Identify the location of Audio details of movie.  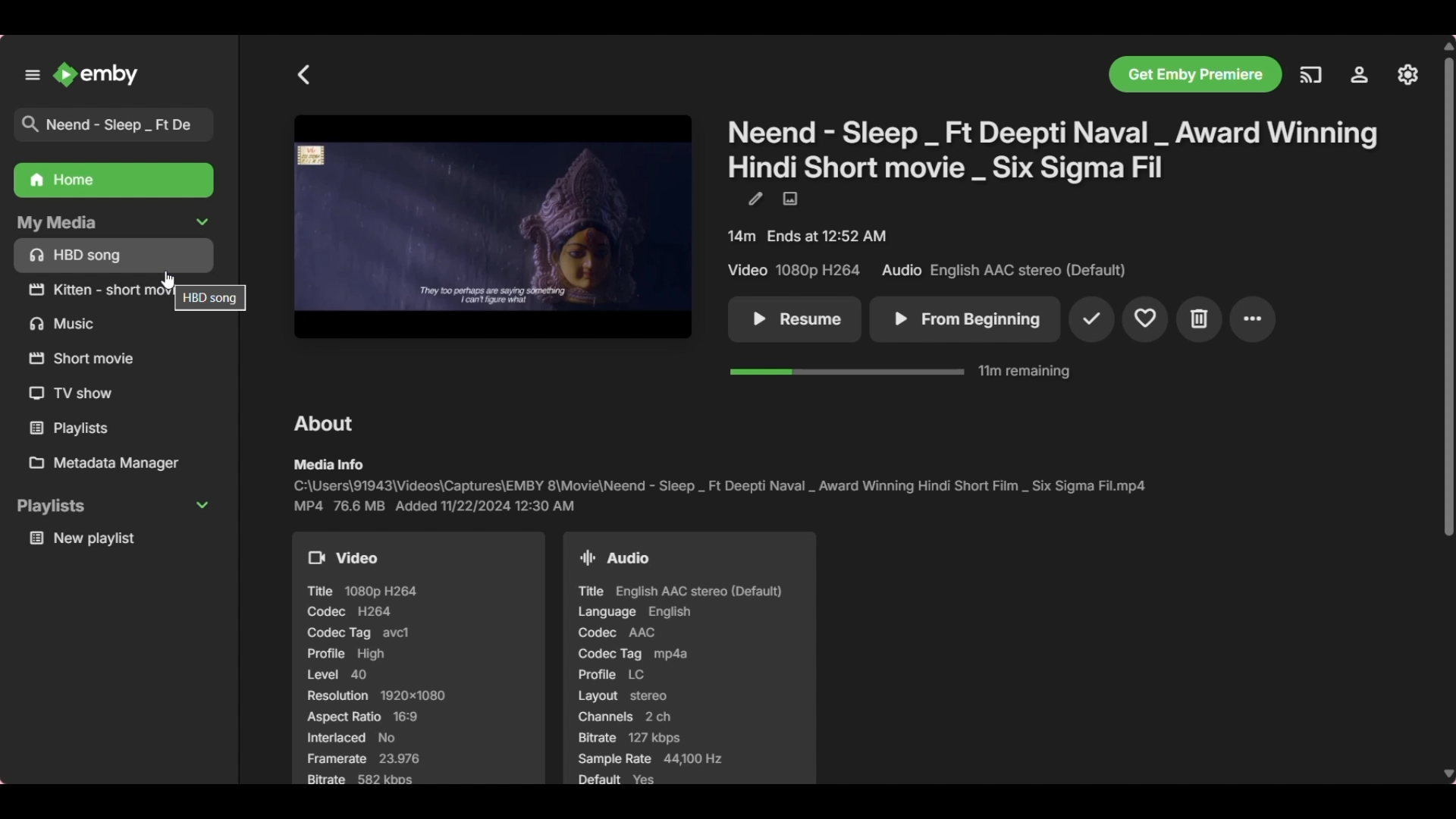
(688, 658).